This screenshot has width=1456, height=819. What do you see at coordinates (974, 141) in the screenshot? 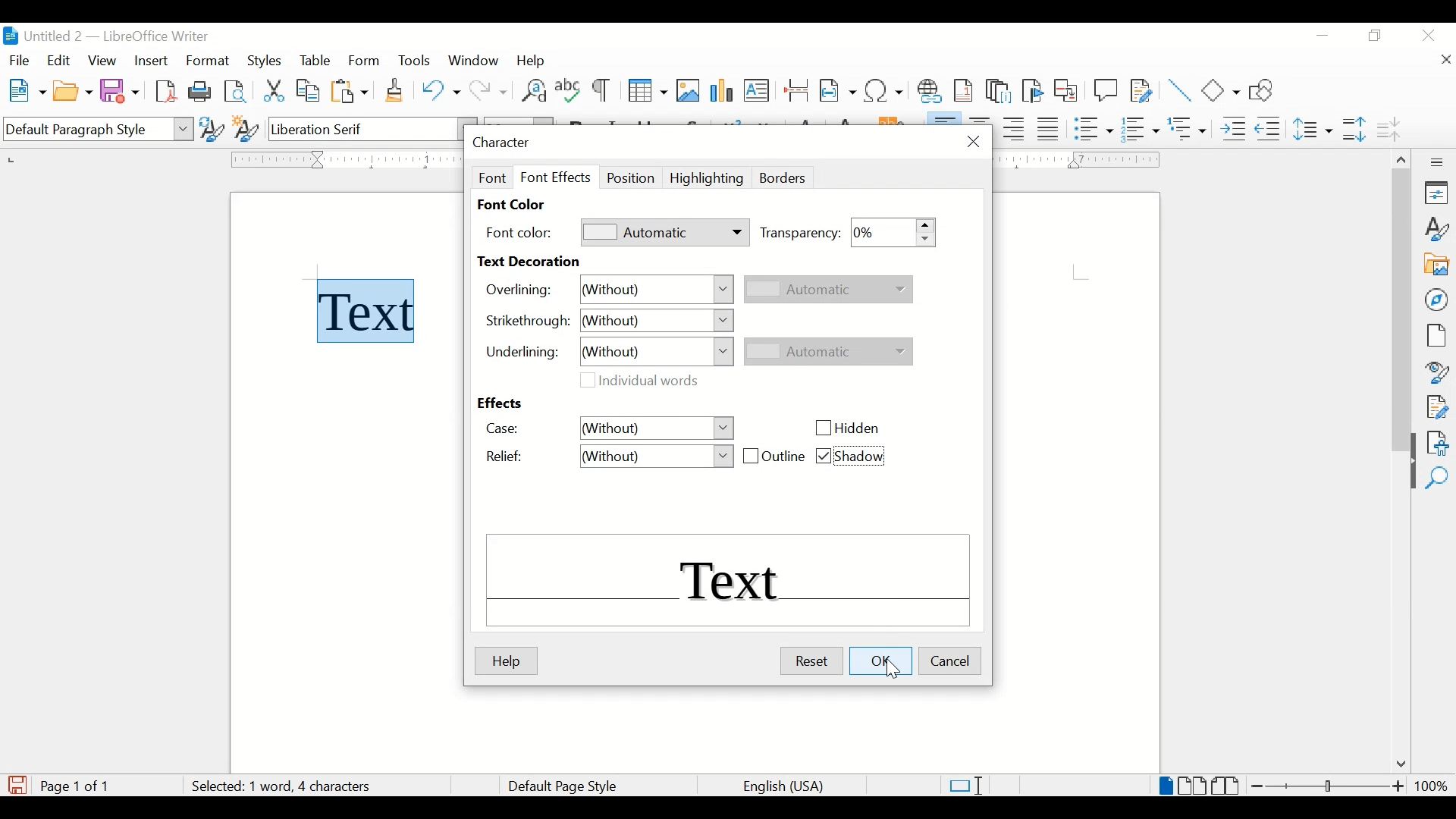
I see `close` at bounding box center [974, 141].